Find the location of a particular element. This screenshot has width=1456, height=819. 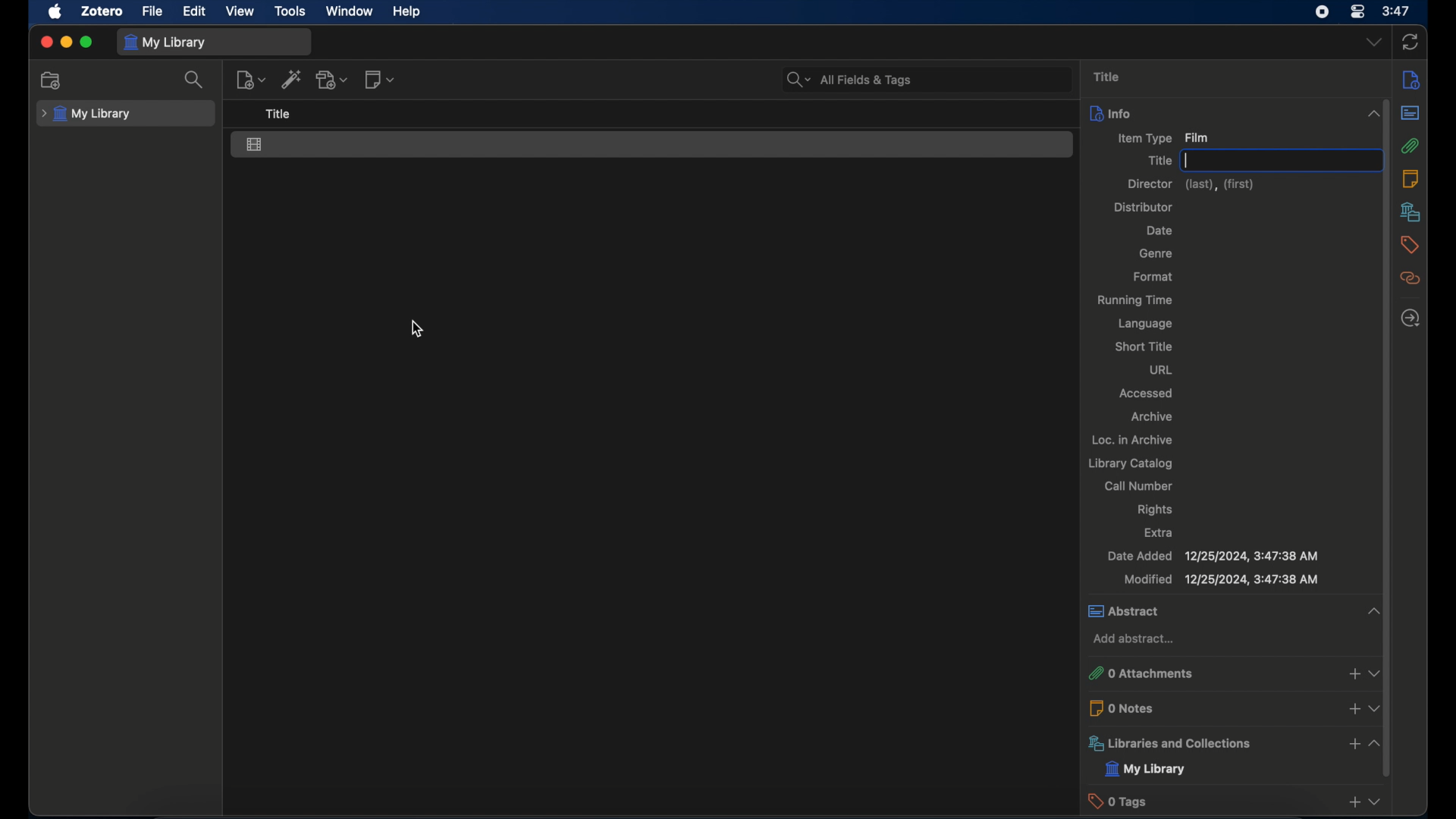

add notes is located at coordinates (1354, 706).